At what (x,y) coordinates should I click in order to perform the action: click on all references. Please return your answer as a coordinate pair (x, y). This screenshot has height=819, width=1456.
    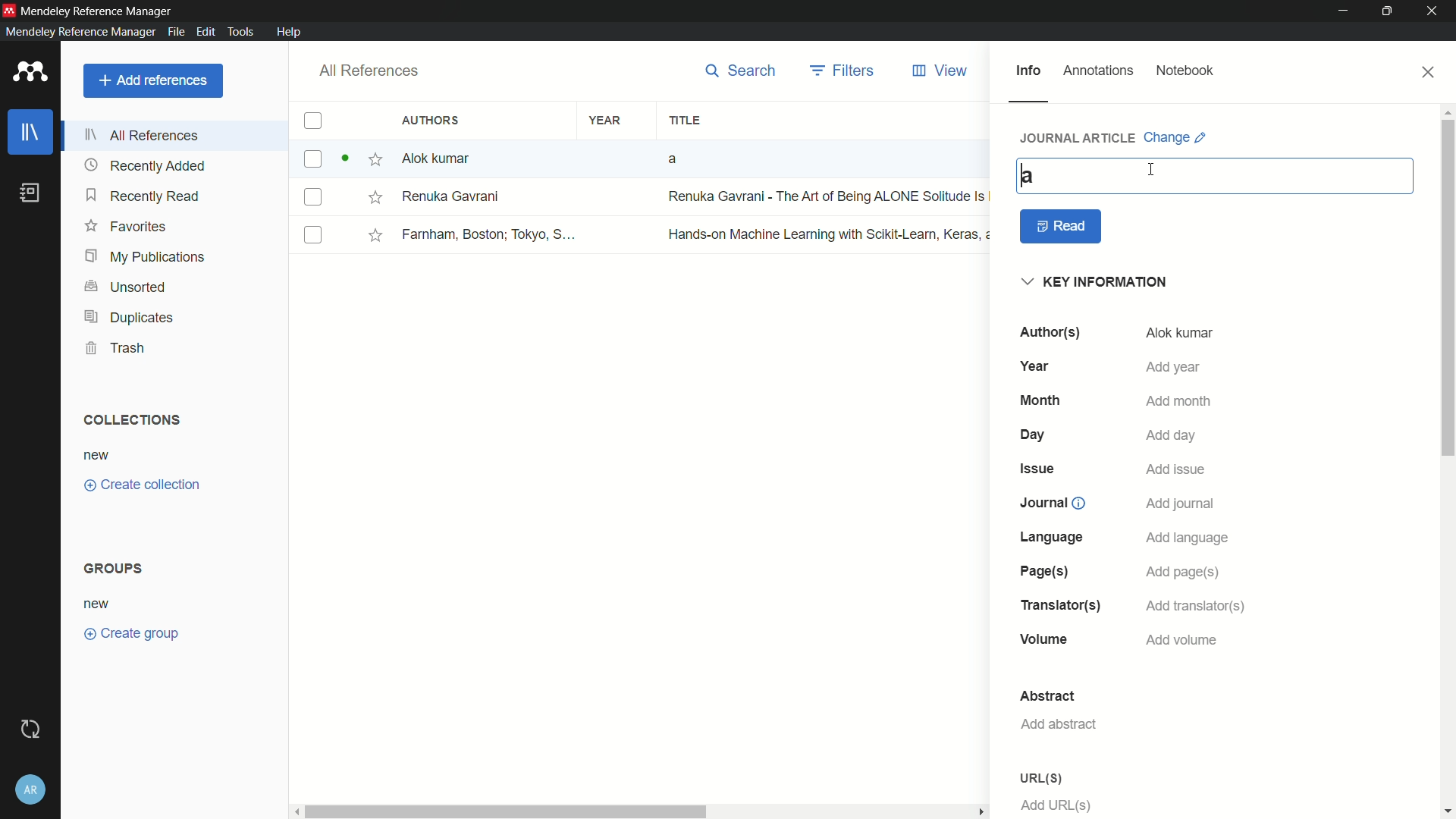
    Looking at the image, I should click on (143, 135).